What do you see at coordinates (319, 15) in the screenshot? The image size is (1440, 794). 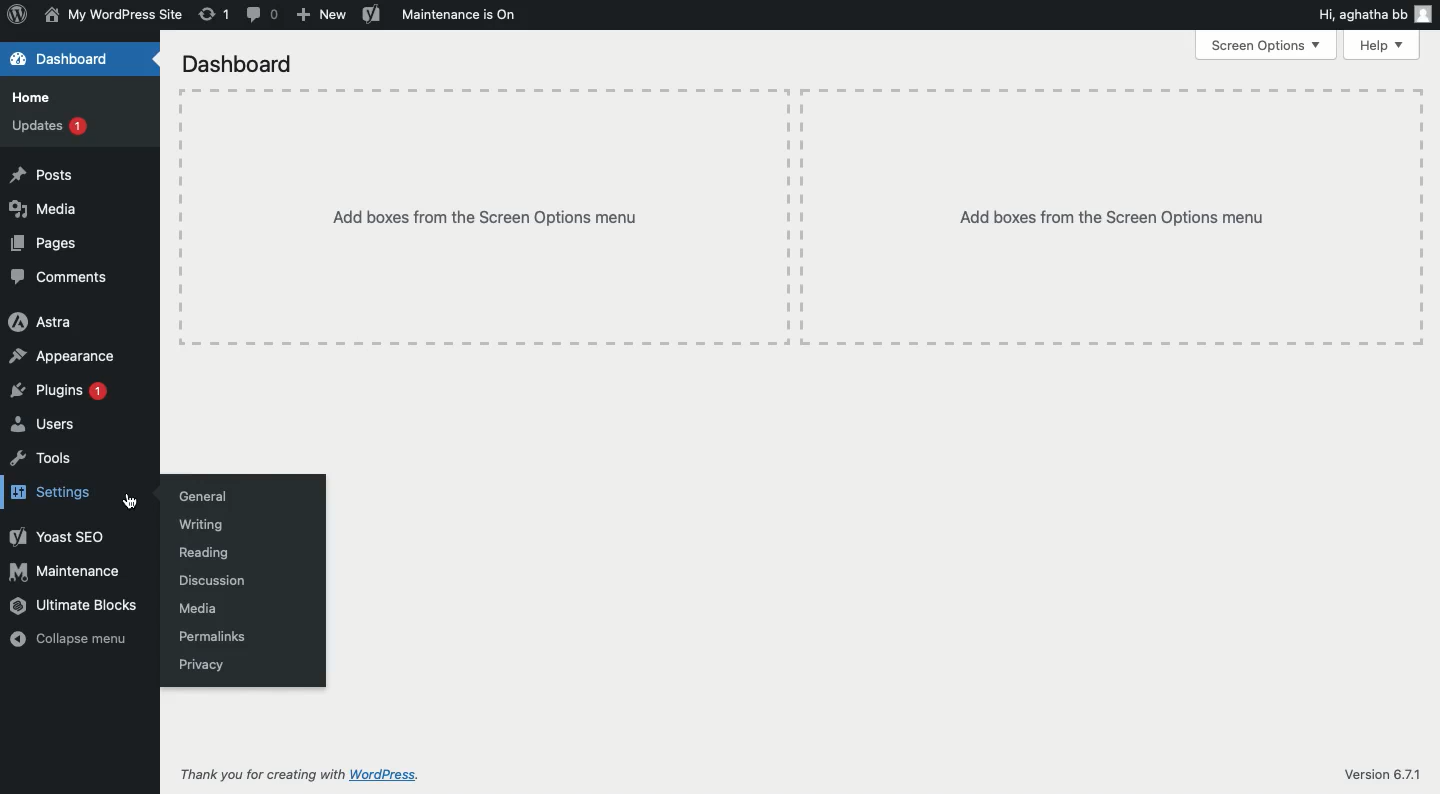 I see `New` at bounding box center [319, 15].